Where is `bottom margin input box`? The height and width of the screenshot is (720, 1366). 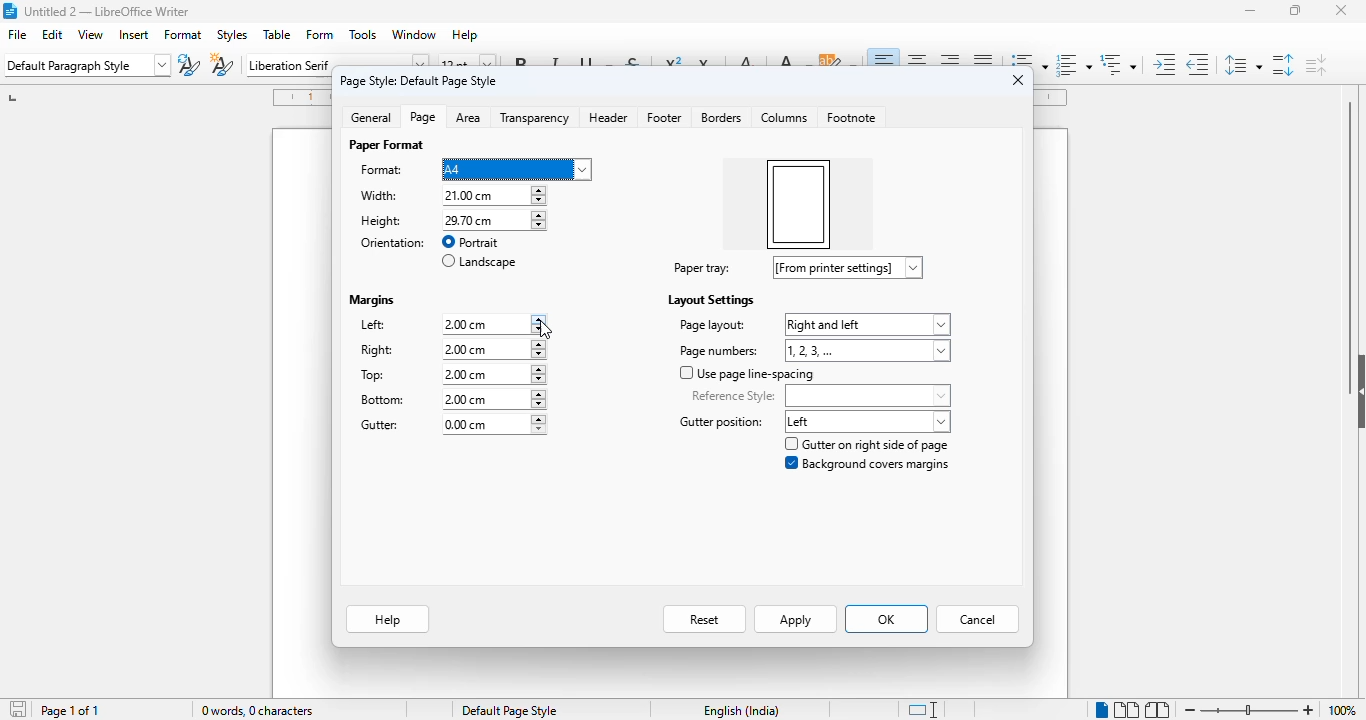 bottom margin input box is located at coordinates (482, 400).